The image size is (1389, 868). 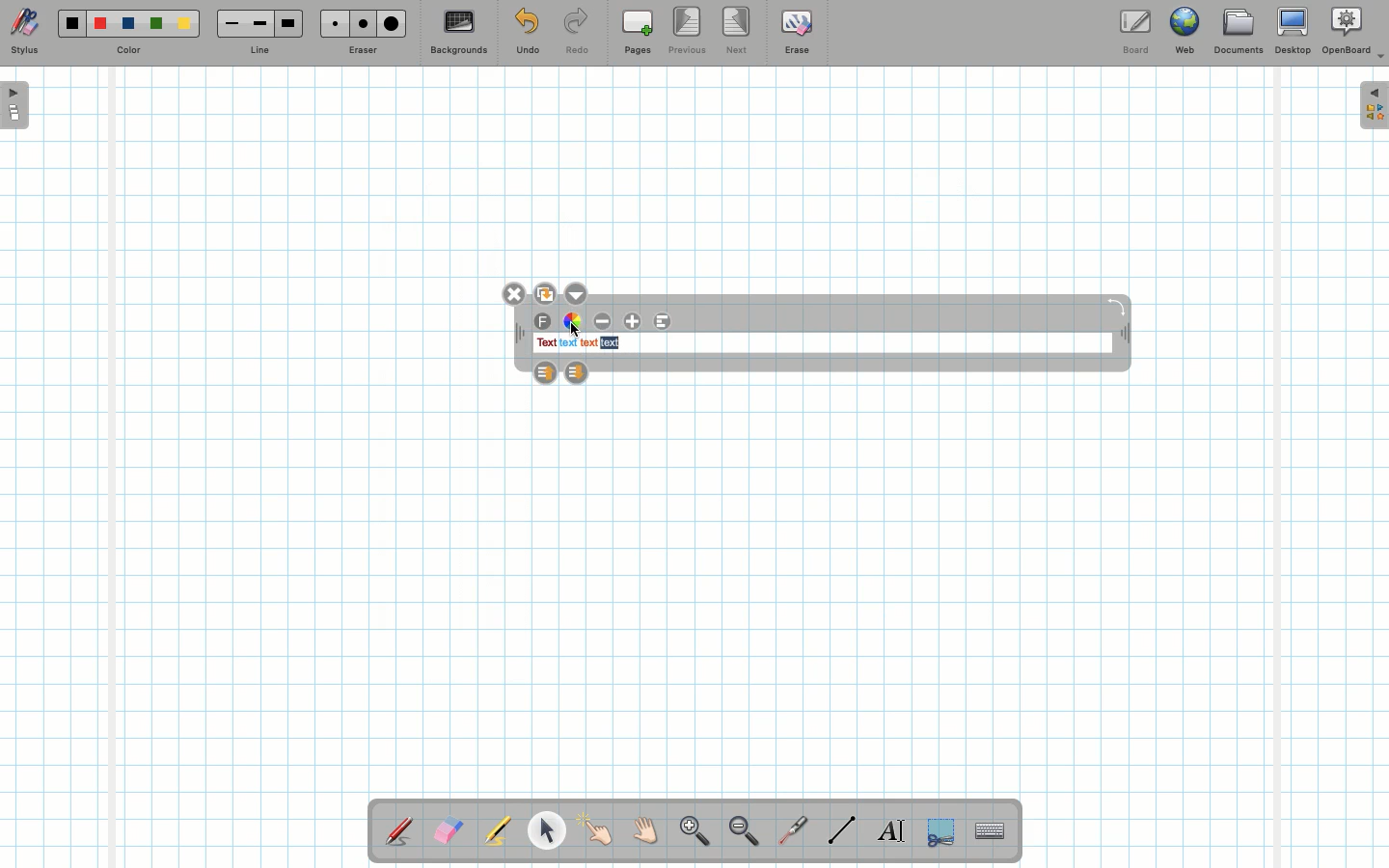 I want to click on Black, so click(x=70, y=23).